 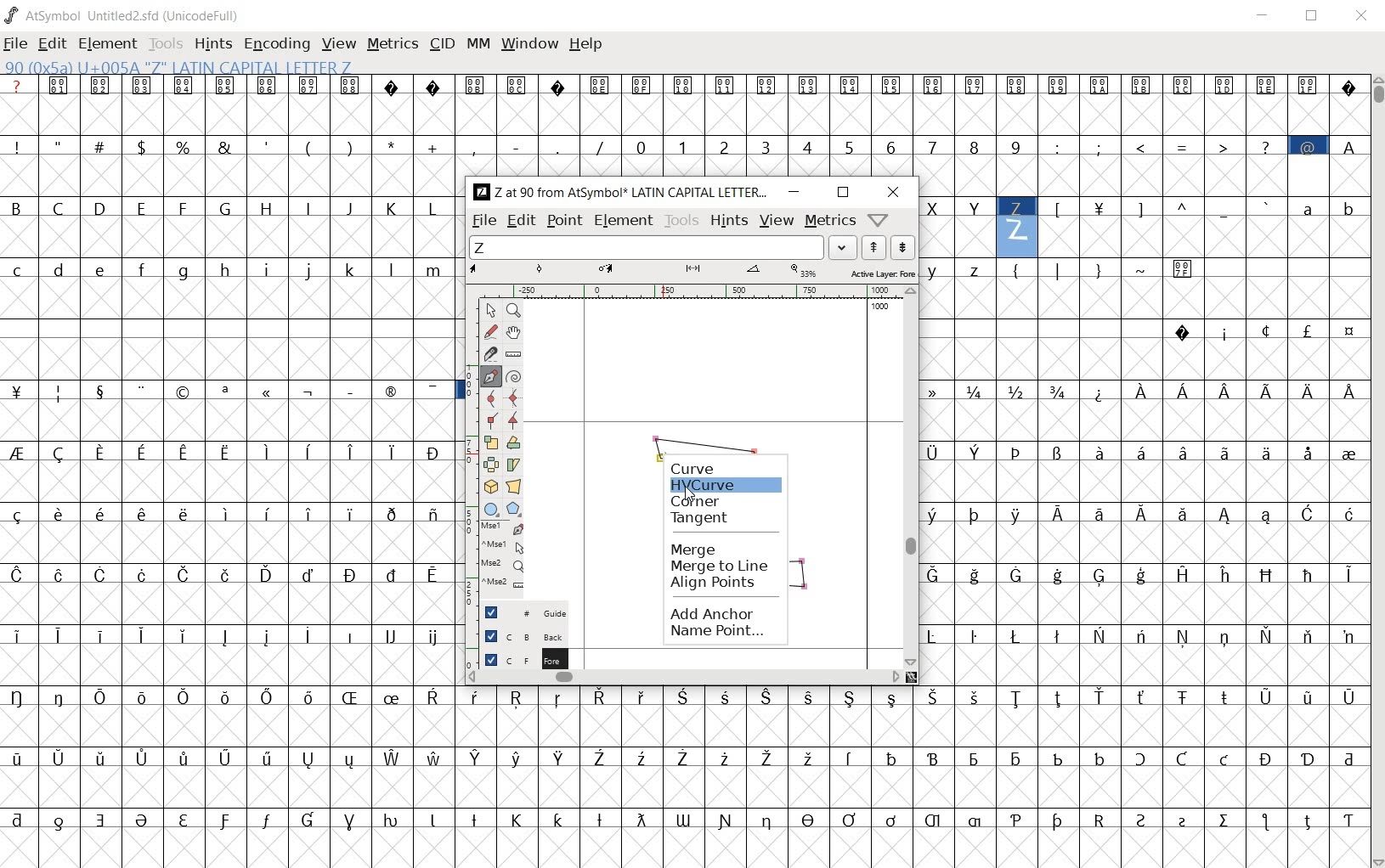 I want to click on CURSOR, so click(x=691, y=497).